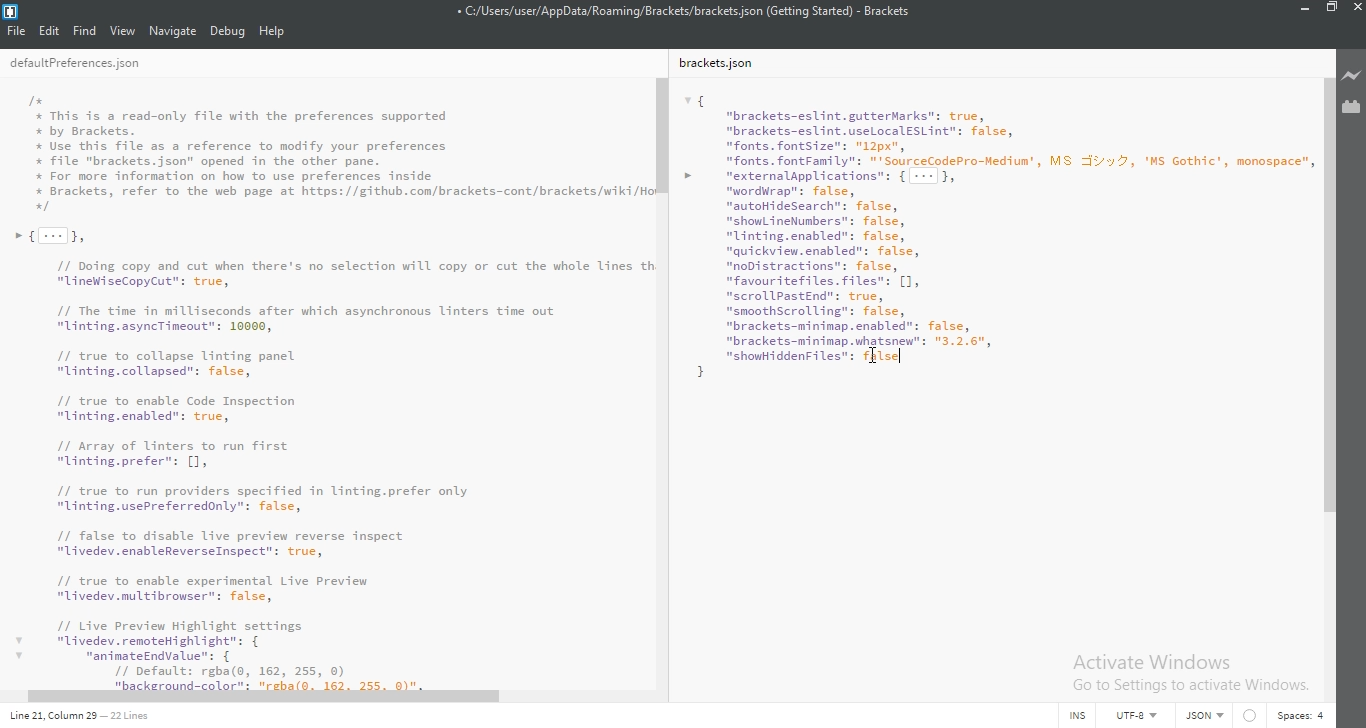  Describe the element at coordinates (172, 31) in the screenshot. I see `navigate` at that location.